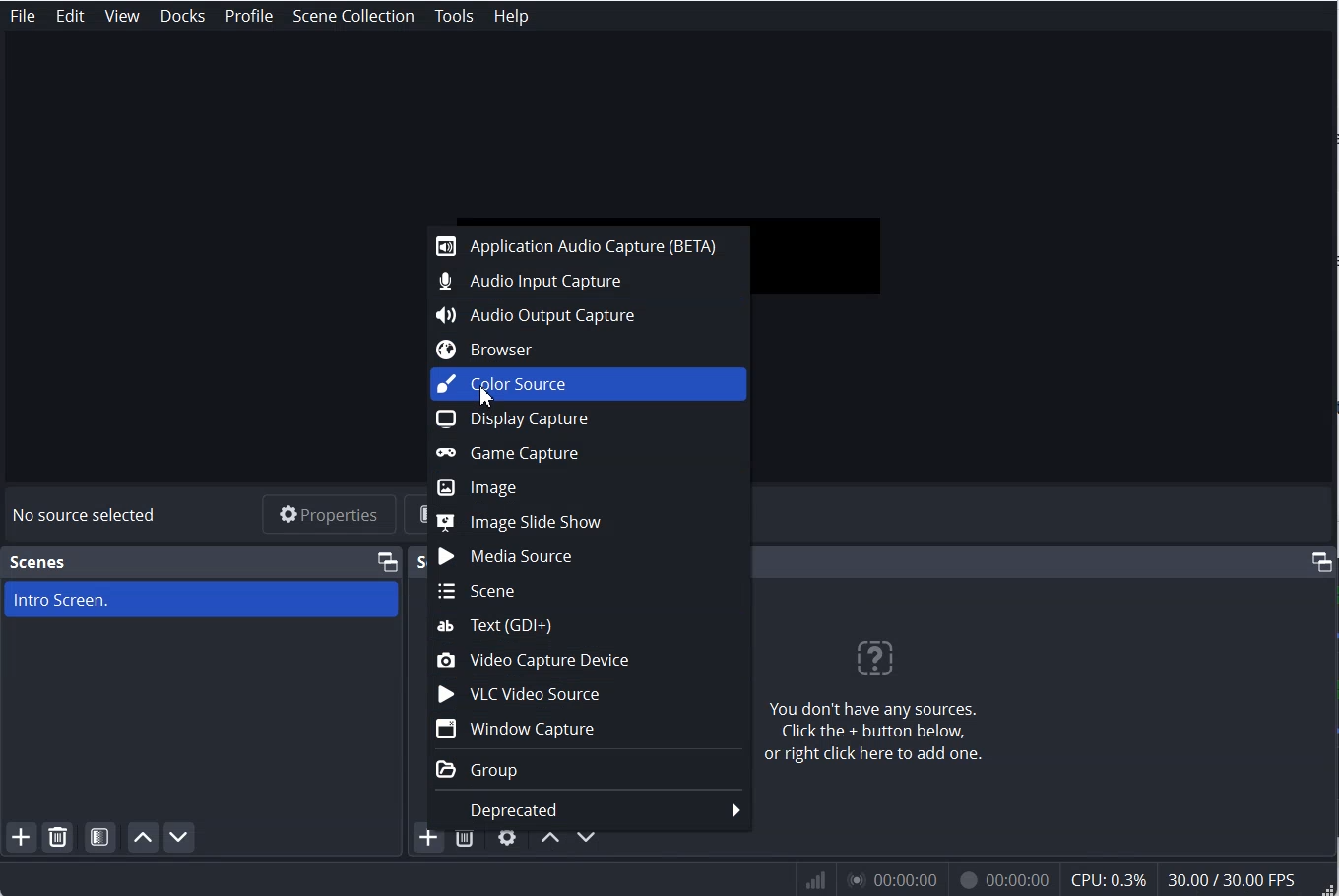 Image resolution: width=1339 pixels, height=896 pixels. What do you see at coordinates (549, 839) in the screenshot?
I see `Move Source up` at bounding box center [549, 839].